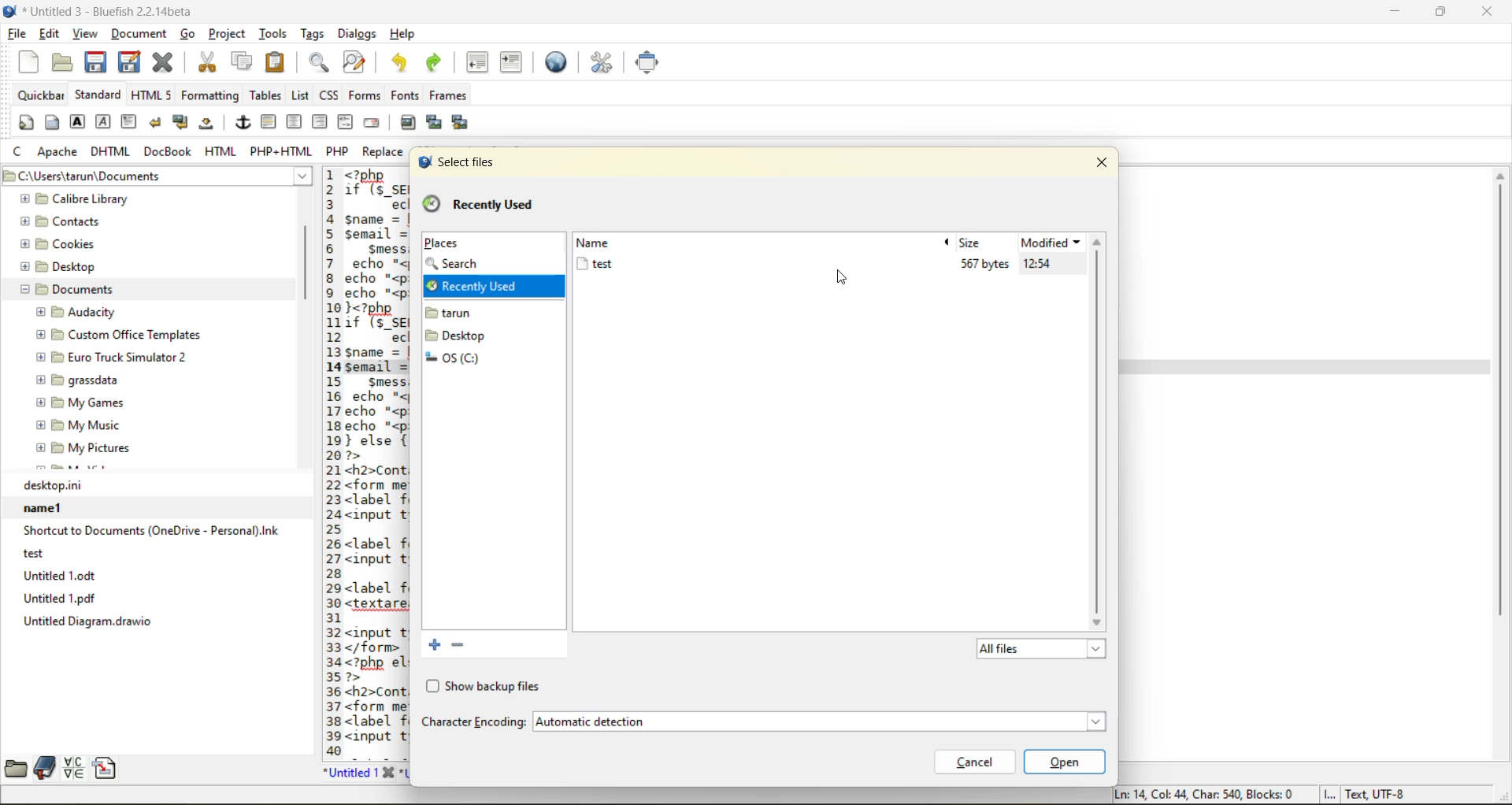  What do you see at coordinates (96, 62) in the screenshot?
I see `save` at bounding box center [96, 62].